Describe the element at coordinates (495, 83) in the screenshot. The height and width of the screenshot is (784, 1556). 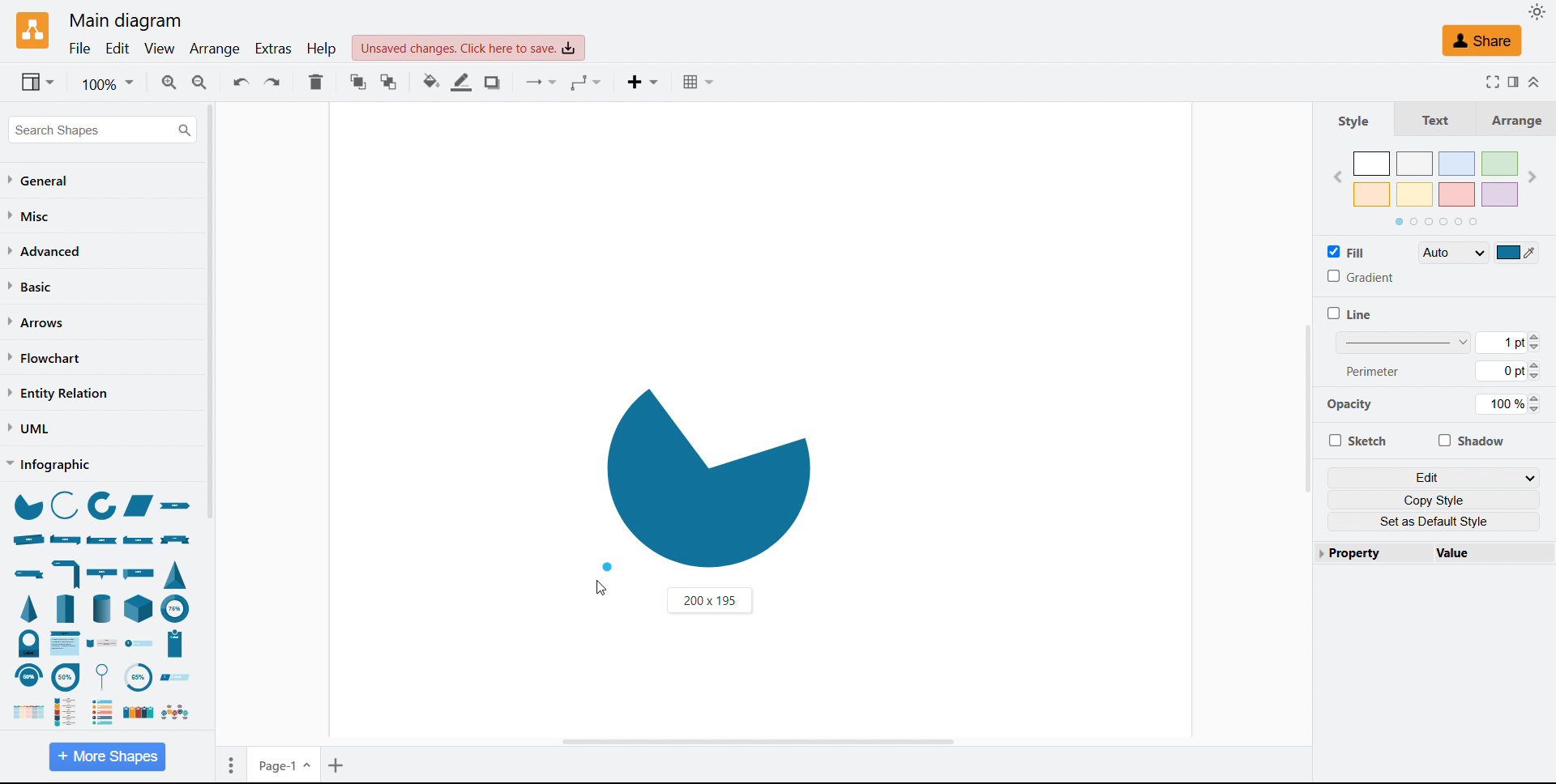
I see `Shadow ` at that location.